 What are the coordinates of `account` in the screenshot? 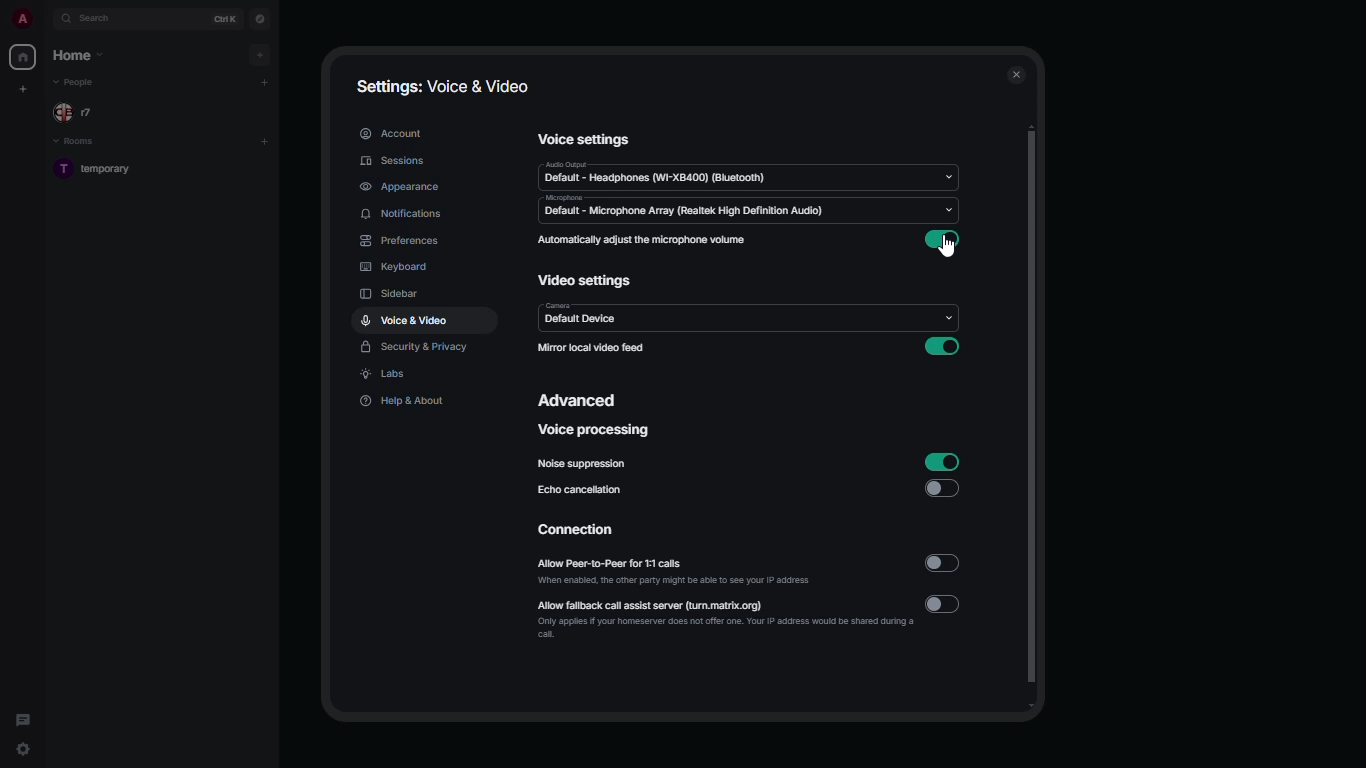 It's located at (393, 132).